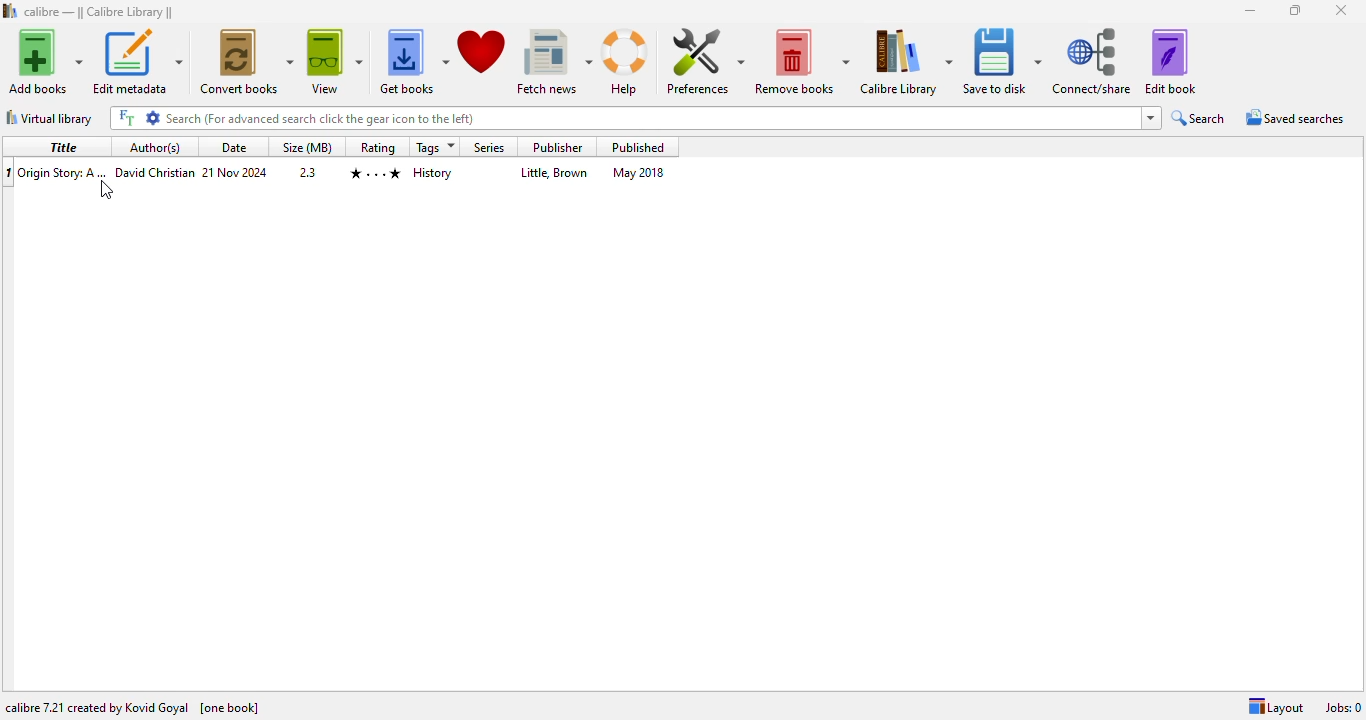 The height and width of the screenshot is (720, 1366). What do you see at coordinates (308, 172) in the screenshot?
I see `2.3` at bounding box center [308, 172].